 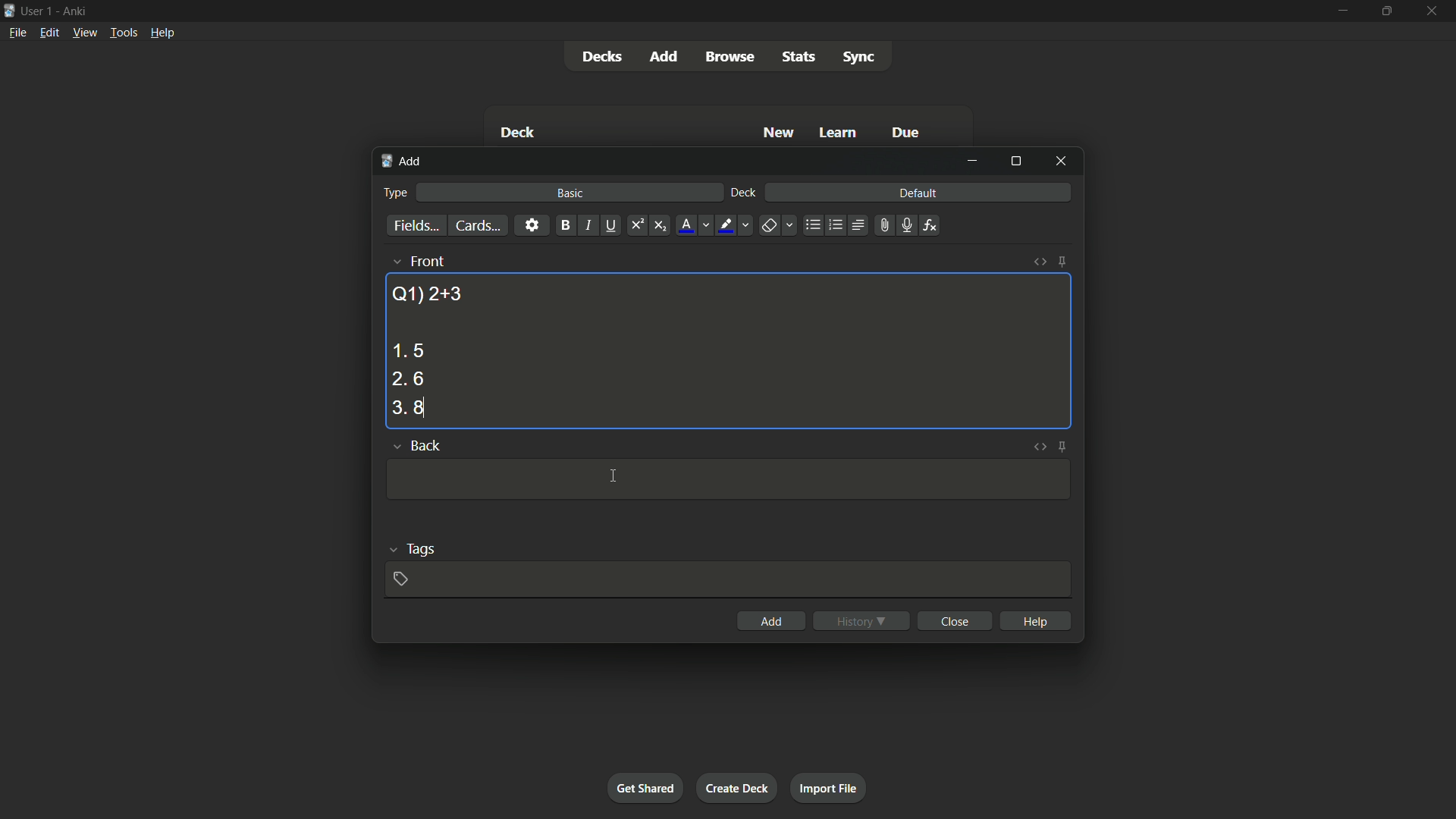 I want to click on close window, so click(x=1062, y=160).